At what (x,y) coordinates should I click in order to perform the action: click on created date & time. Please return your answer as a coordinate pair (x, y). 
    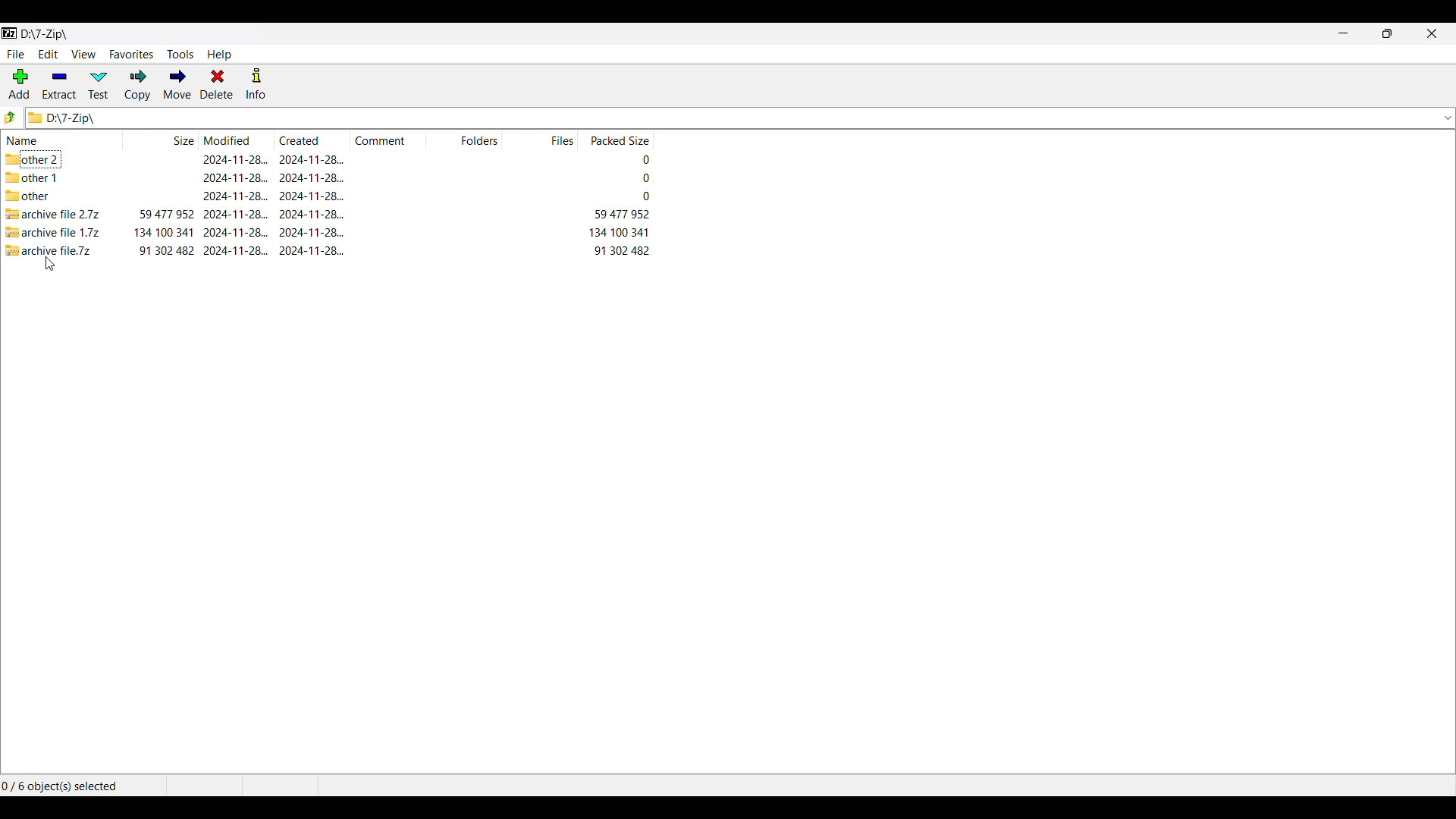
    Looking at the image, I should click on (311, 159).